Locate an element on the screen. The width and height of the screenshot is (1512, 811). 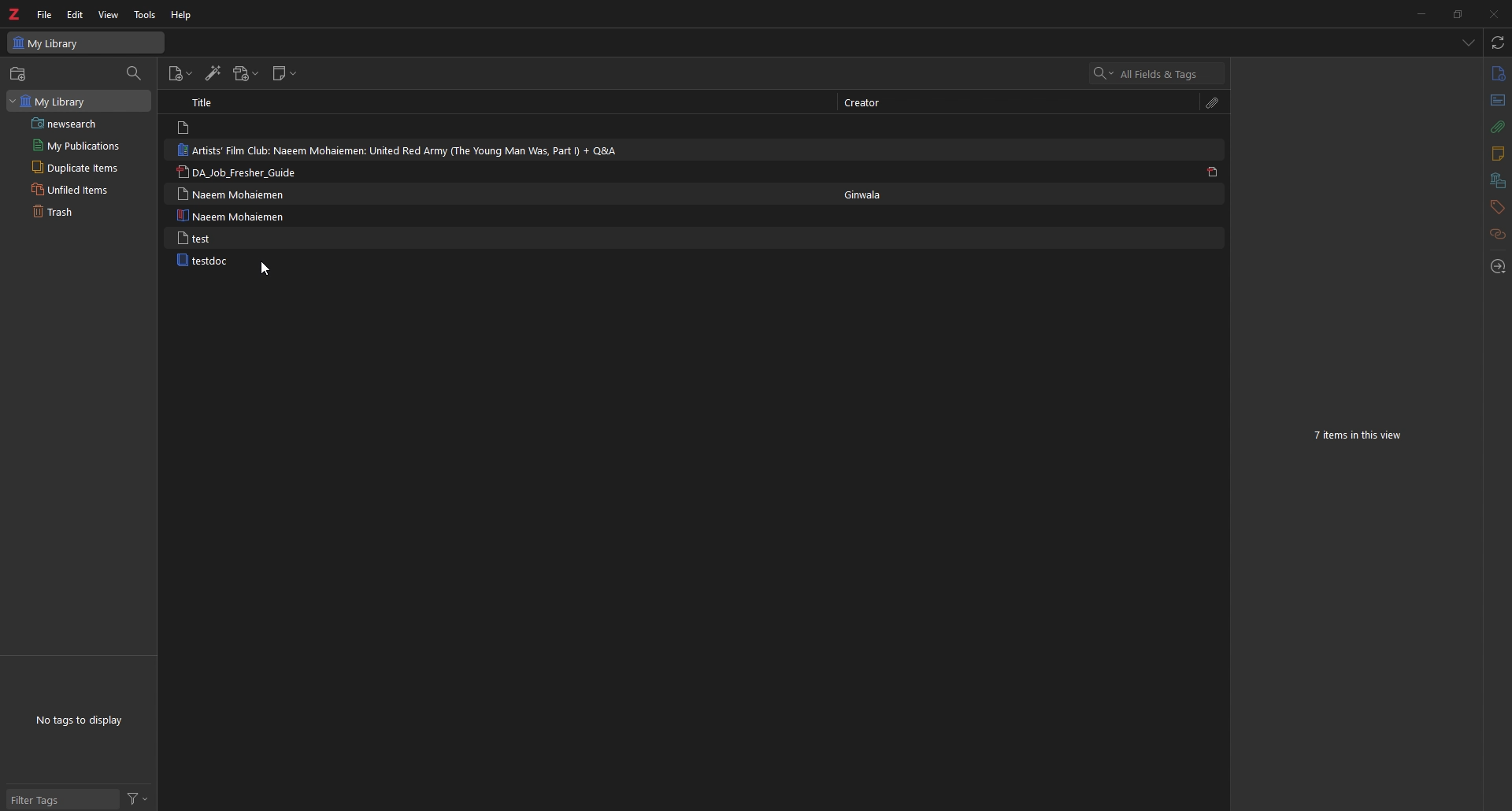
file is located at coordinates (45, 15).